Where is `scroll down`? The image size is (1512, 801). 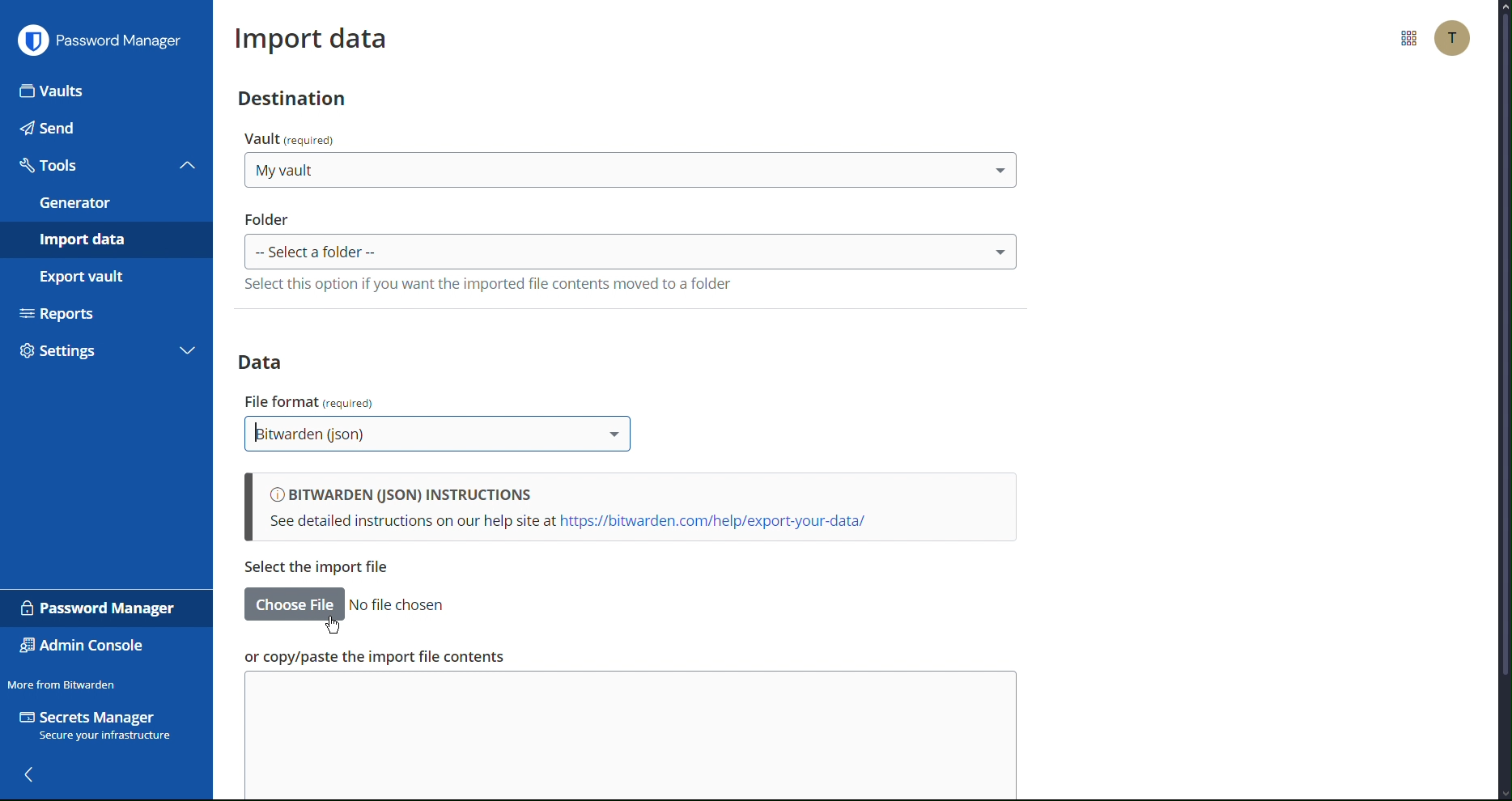
scroll down is located at coordinates (1502, 795).